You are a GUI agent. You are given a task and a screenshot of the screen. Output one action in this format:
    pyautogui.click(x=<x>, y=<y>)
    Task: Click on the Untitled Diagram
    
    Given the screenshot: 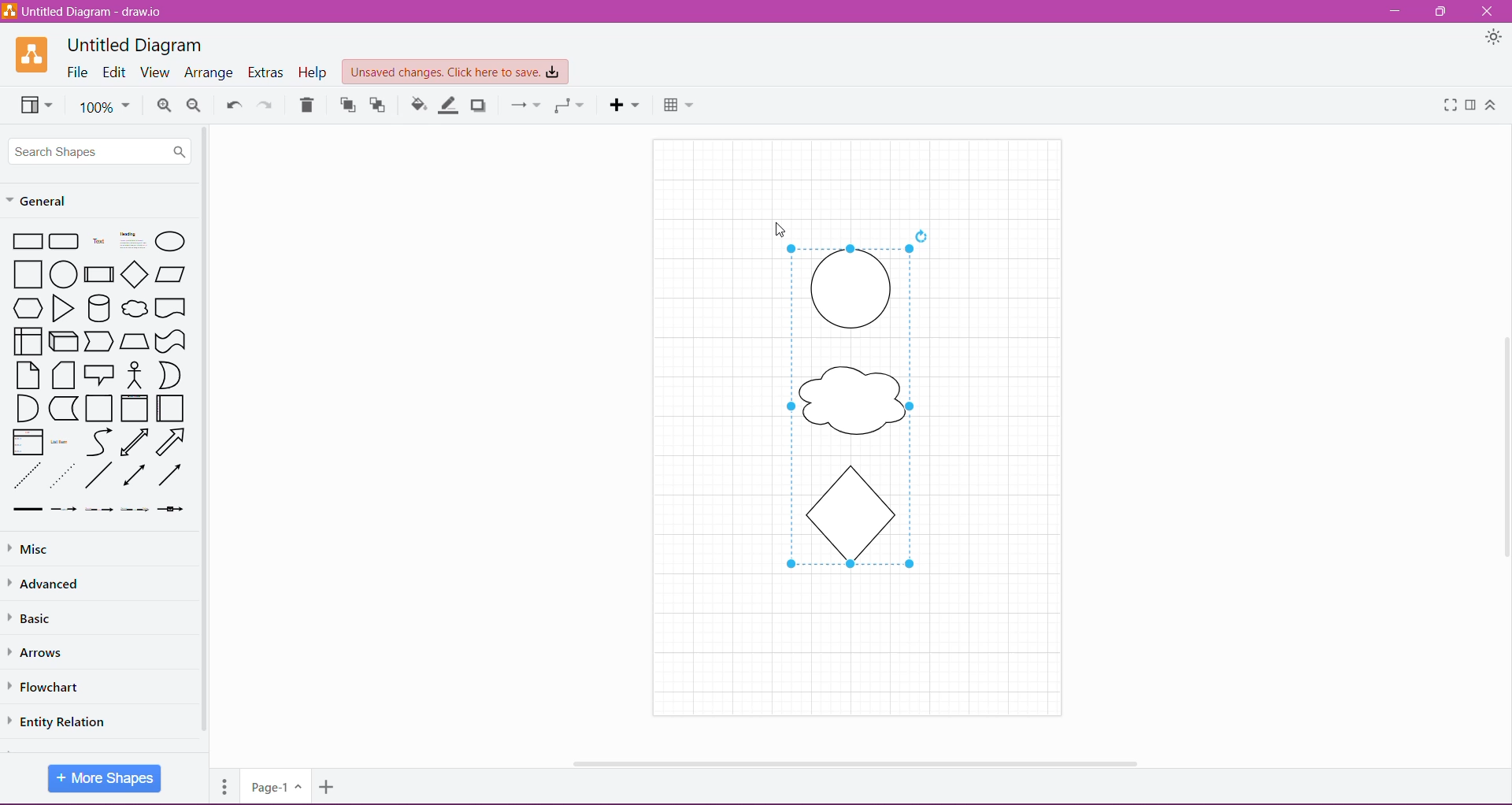 What is the action you would take?
    pyautogui.click(x=135, y=45)
    